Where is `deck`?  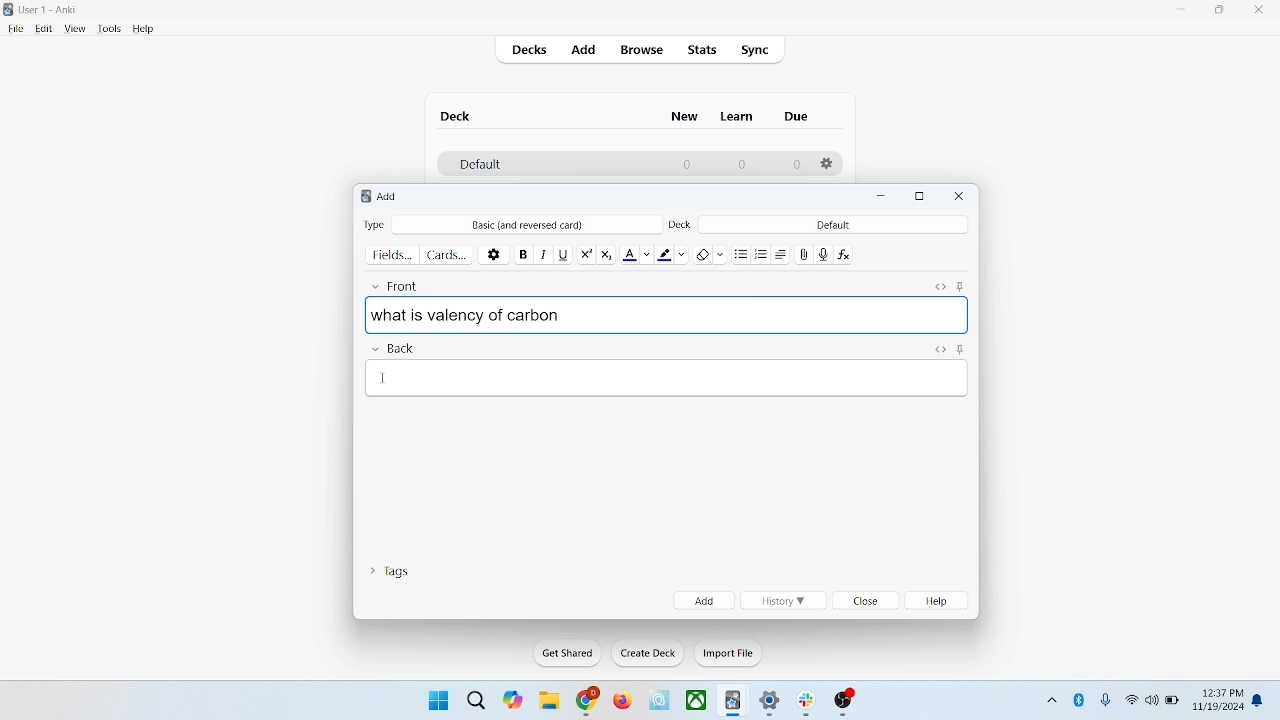
deck is located at coordinates (682, 223).